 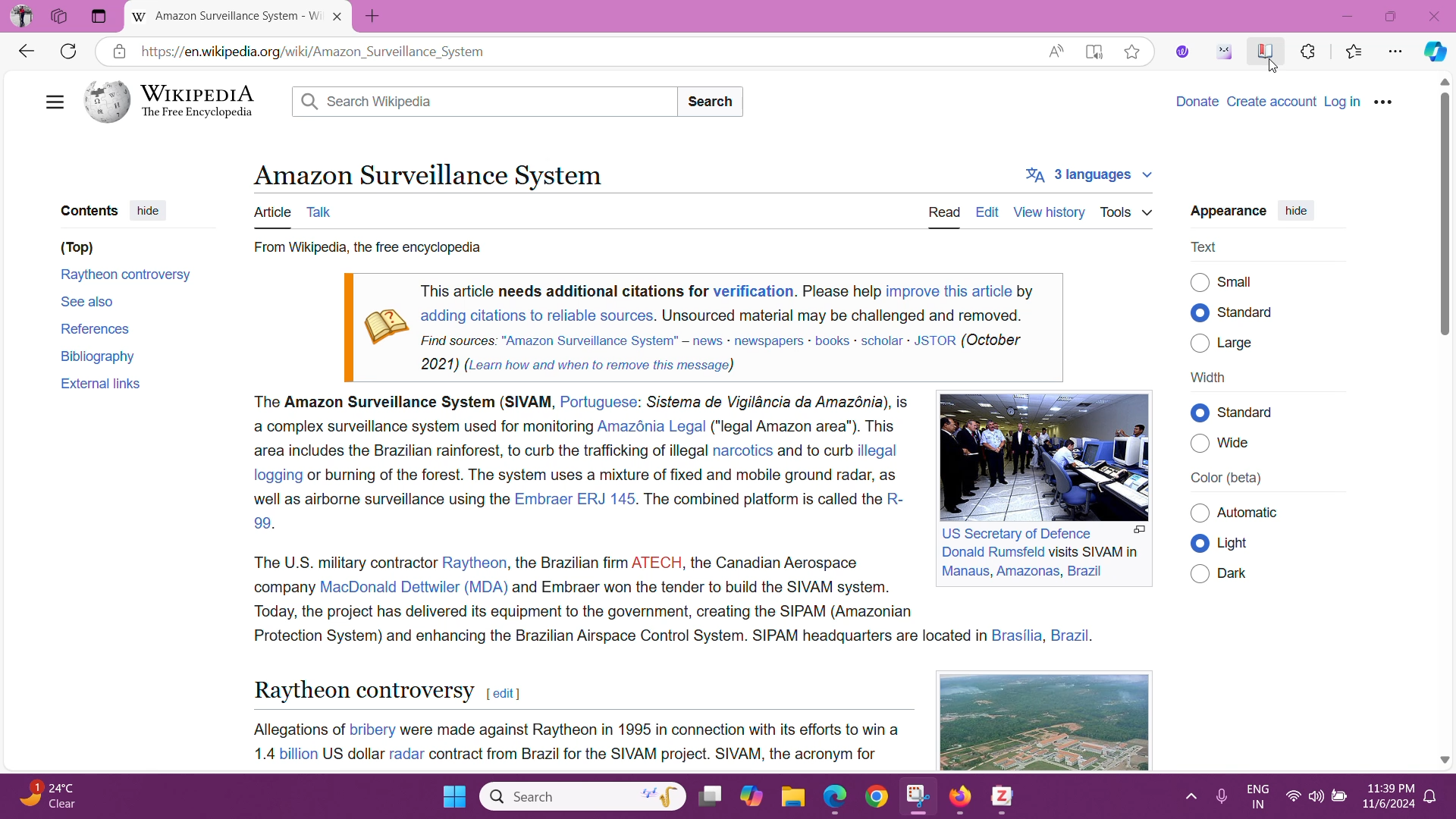 What do you see at coordinates (127, 277) in the screenshot?
I see `Raytheon controversy` at bounding box center [127, 277].